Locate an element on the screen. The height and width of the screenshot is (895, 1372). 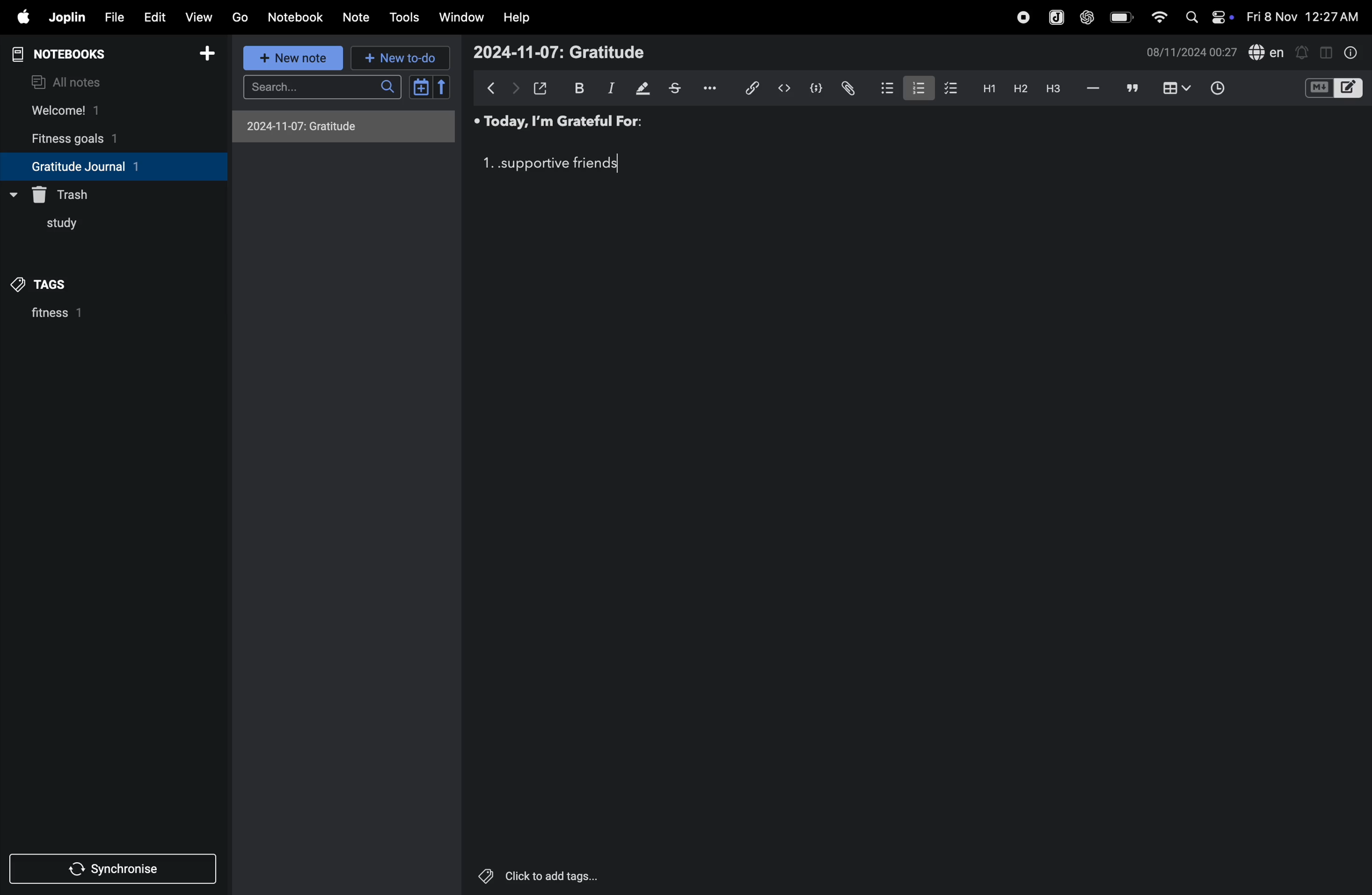
heading 3 is located at coordinates (1056, 92).